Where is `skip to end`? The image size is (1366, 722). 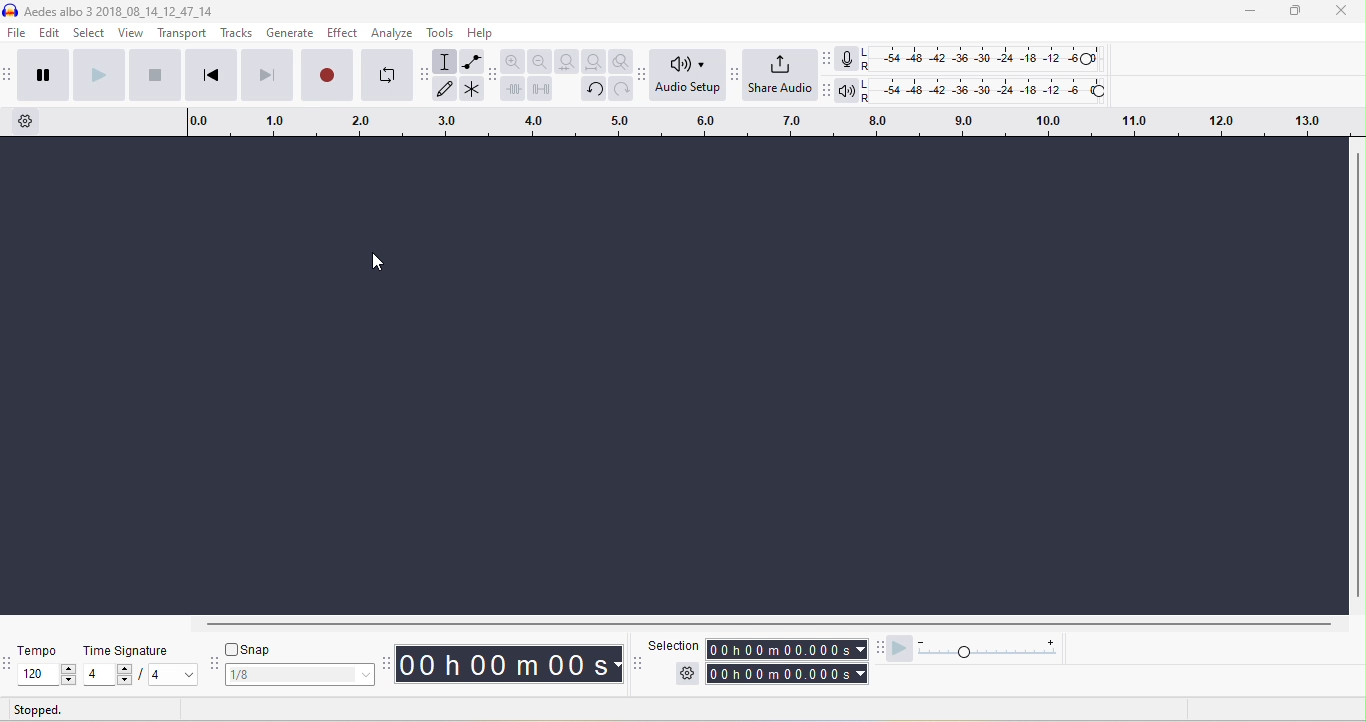 skip to end is located at coordinates (266, 74).